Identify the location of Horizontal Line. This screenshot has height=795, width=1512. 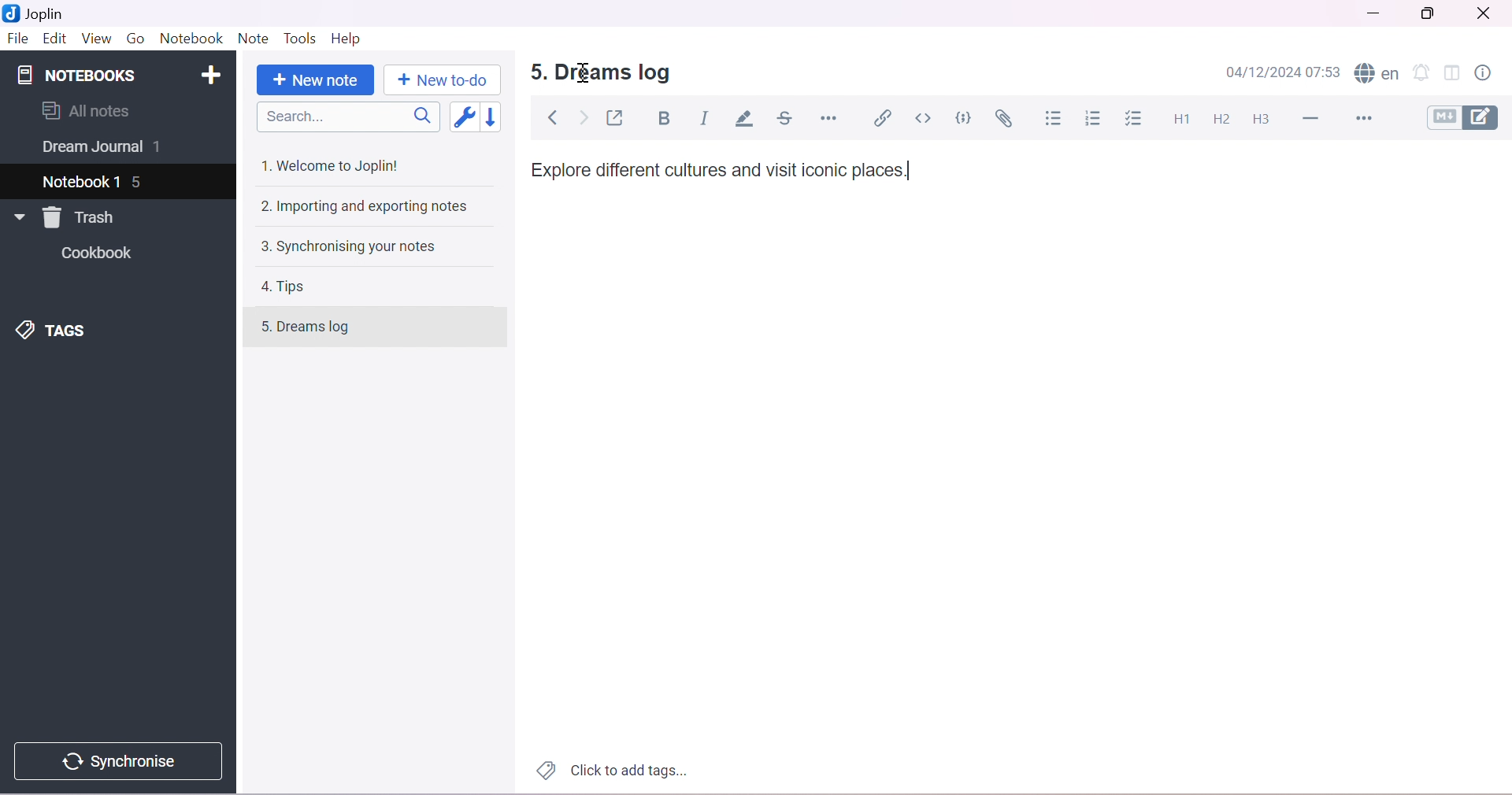
(1314, 119).